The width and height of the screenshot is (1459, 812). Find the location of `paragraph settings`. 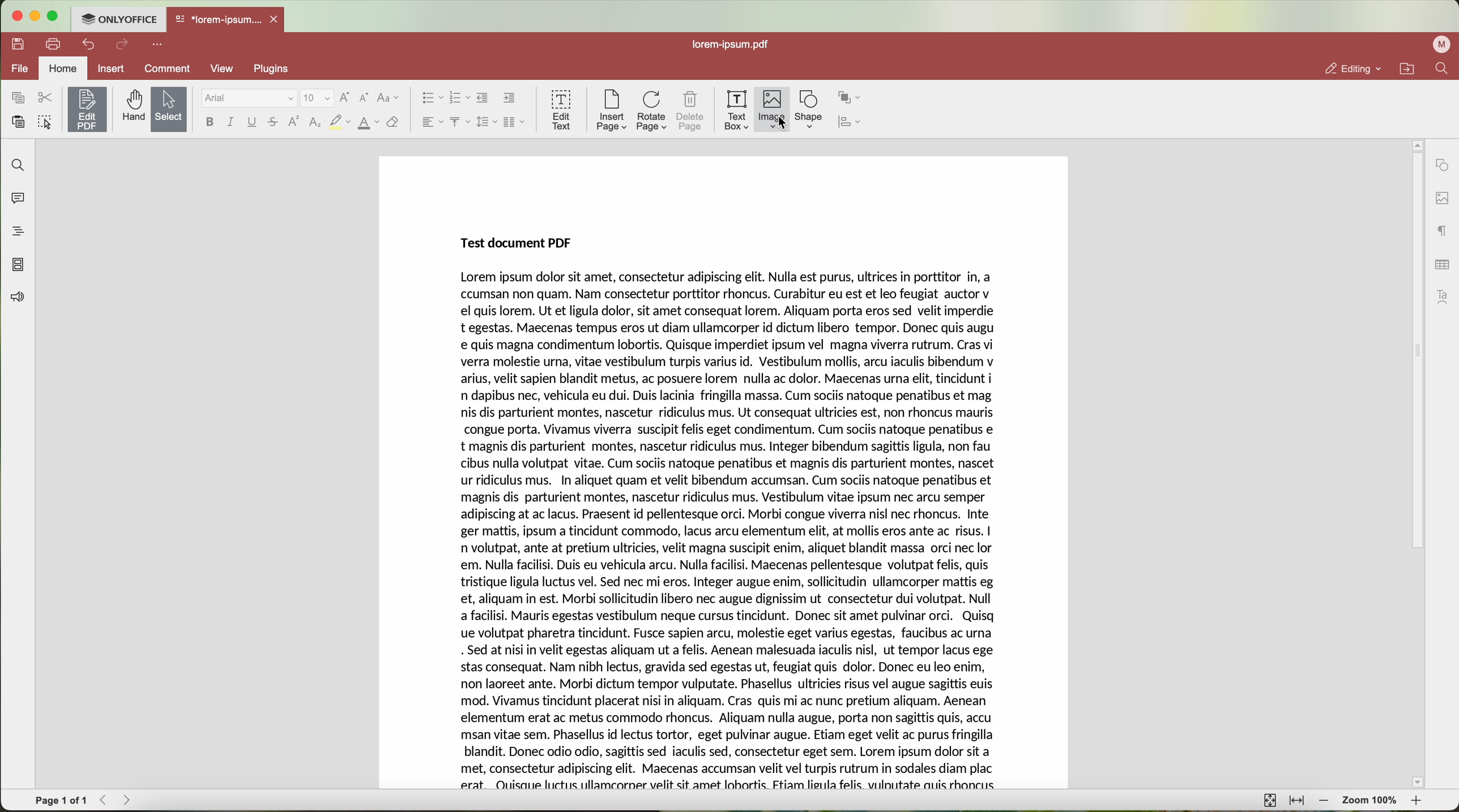

paragraph settings is located at coordinates (1443, 230).